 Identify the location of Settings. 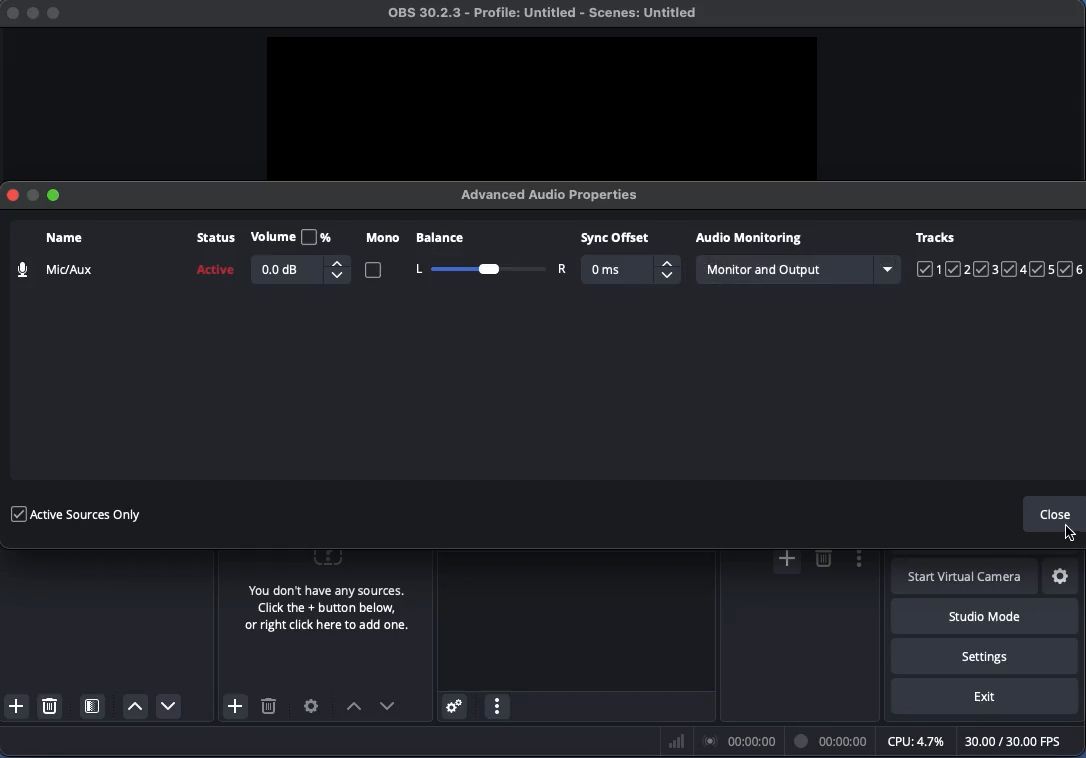
(312, 706).